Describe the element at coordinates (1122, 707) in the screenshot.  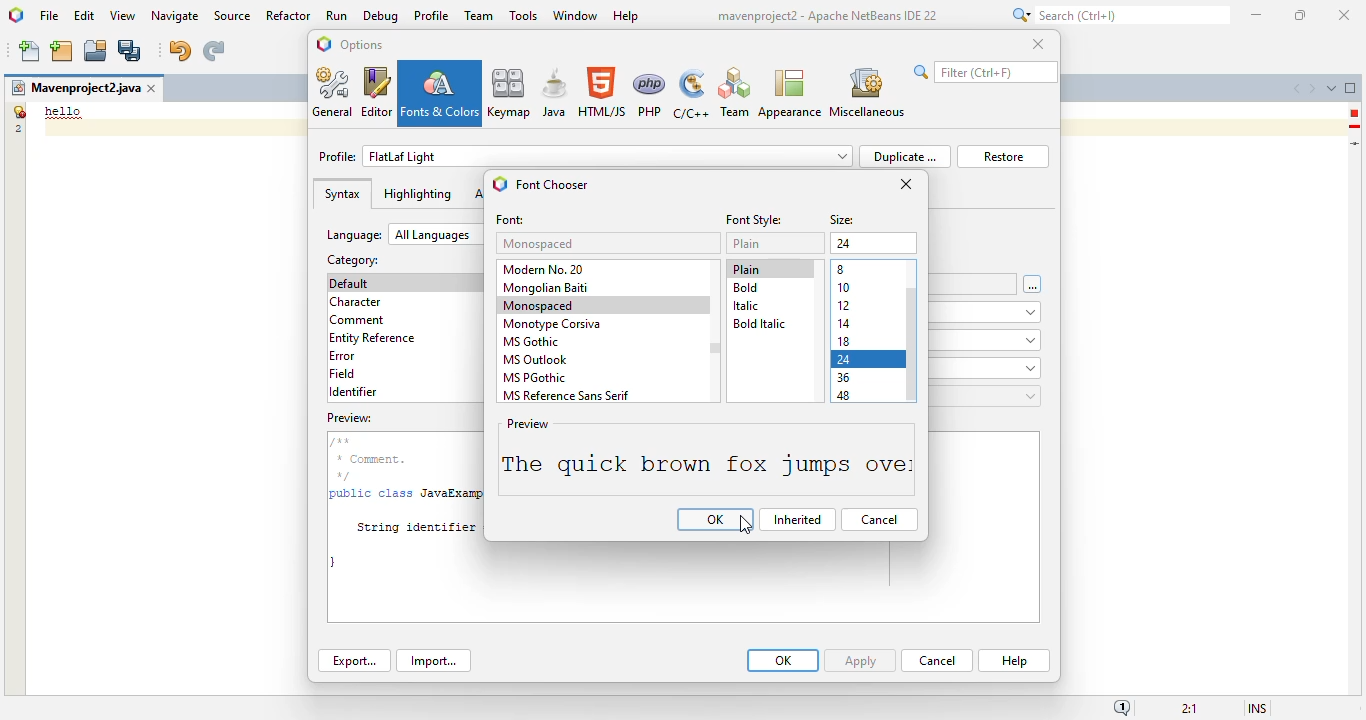
I see `notifications` at that location.